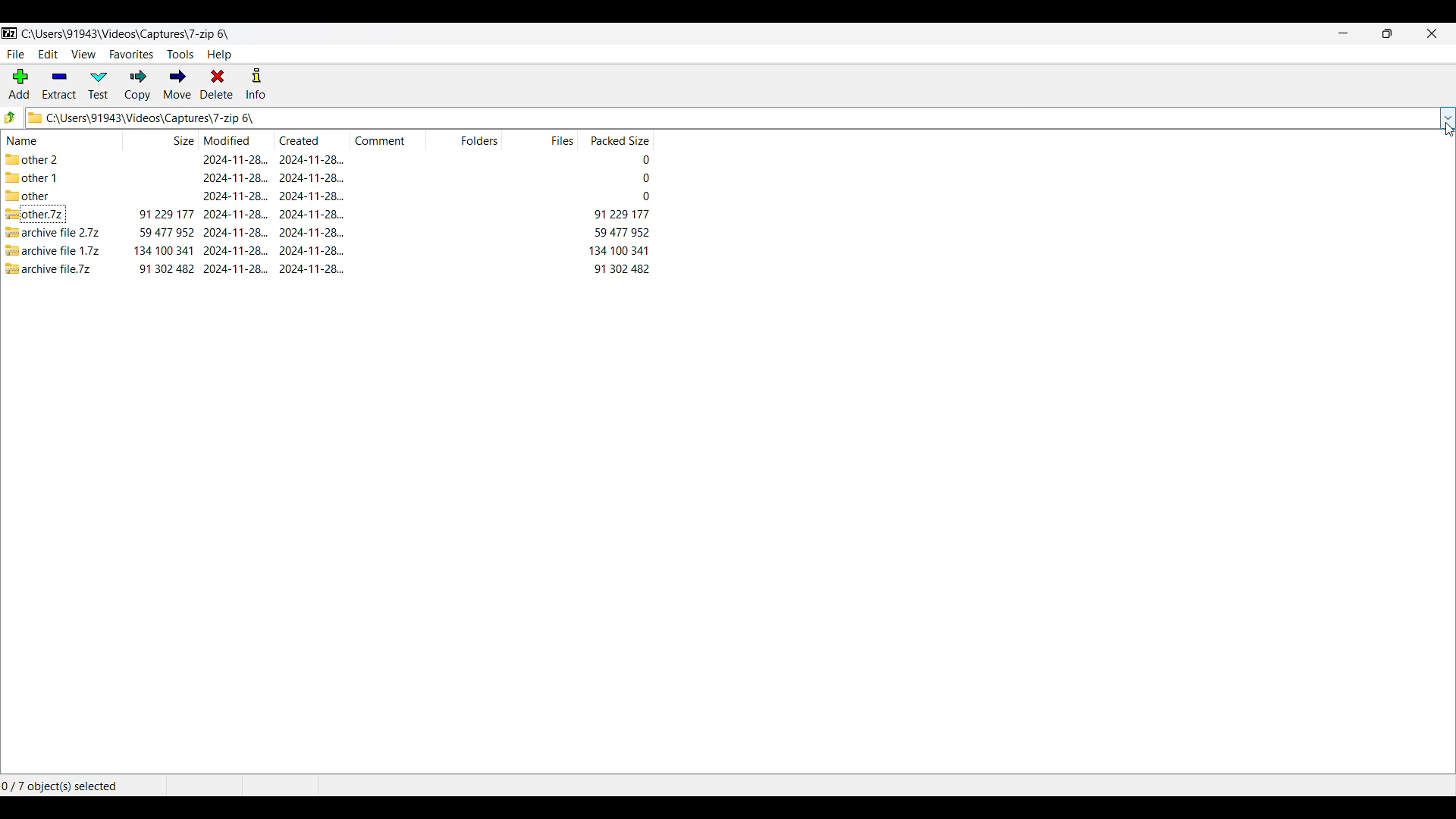  What do you see at coordinates (180, 55) in the screenshot?
I see `Tools menu` at bounding box center [180, 55].